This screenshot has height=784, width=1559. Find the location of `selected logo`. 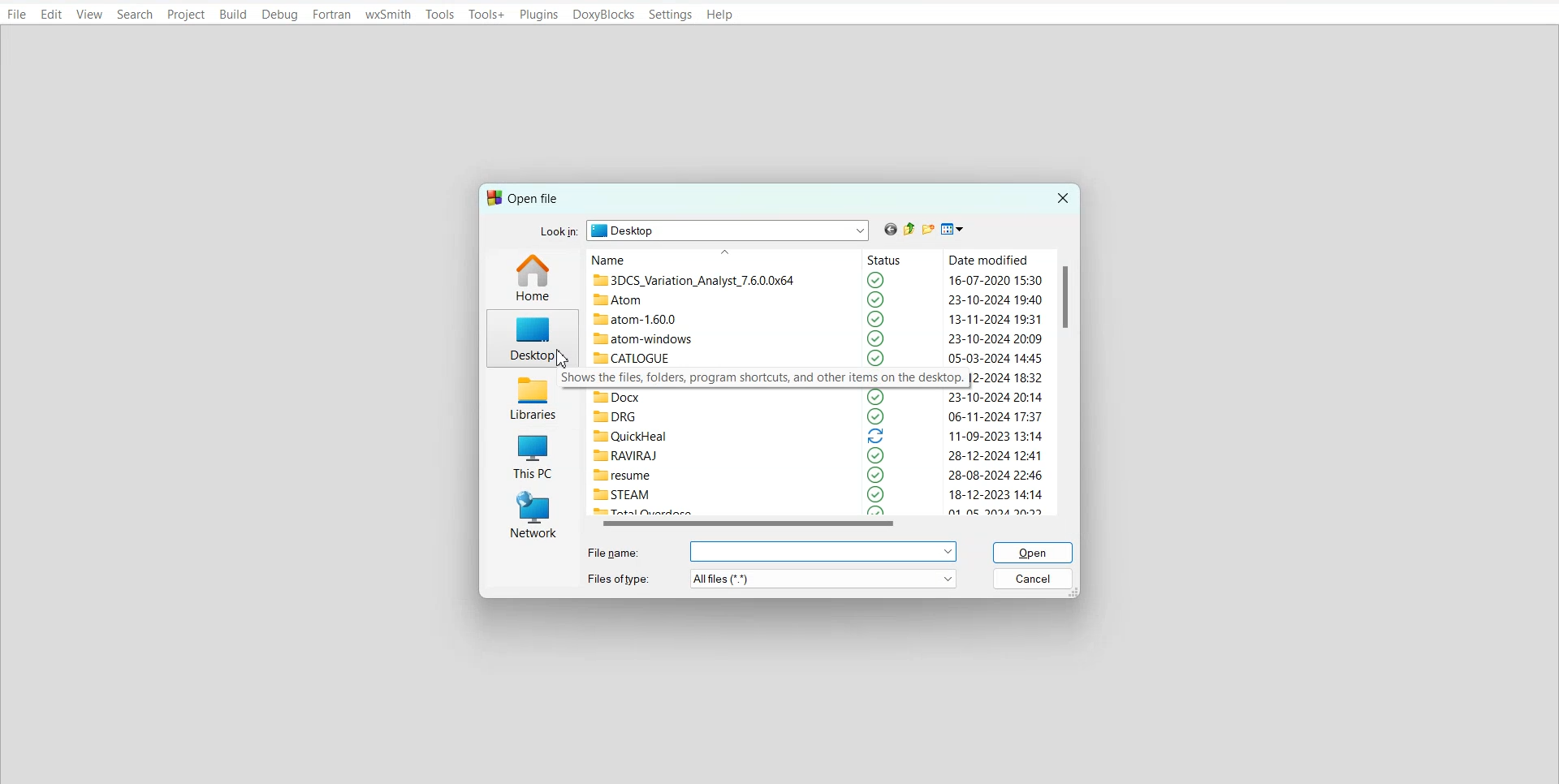

selected logo is located at coordinates (875, 358).